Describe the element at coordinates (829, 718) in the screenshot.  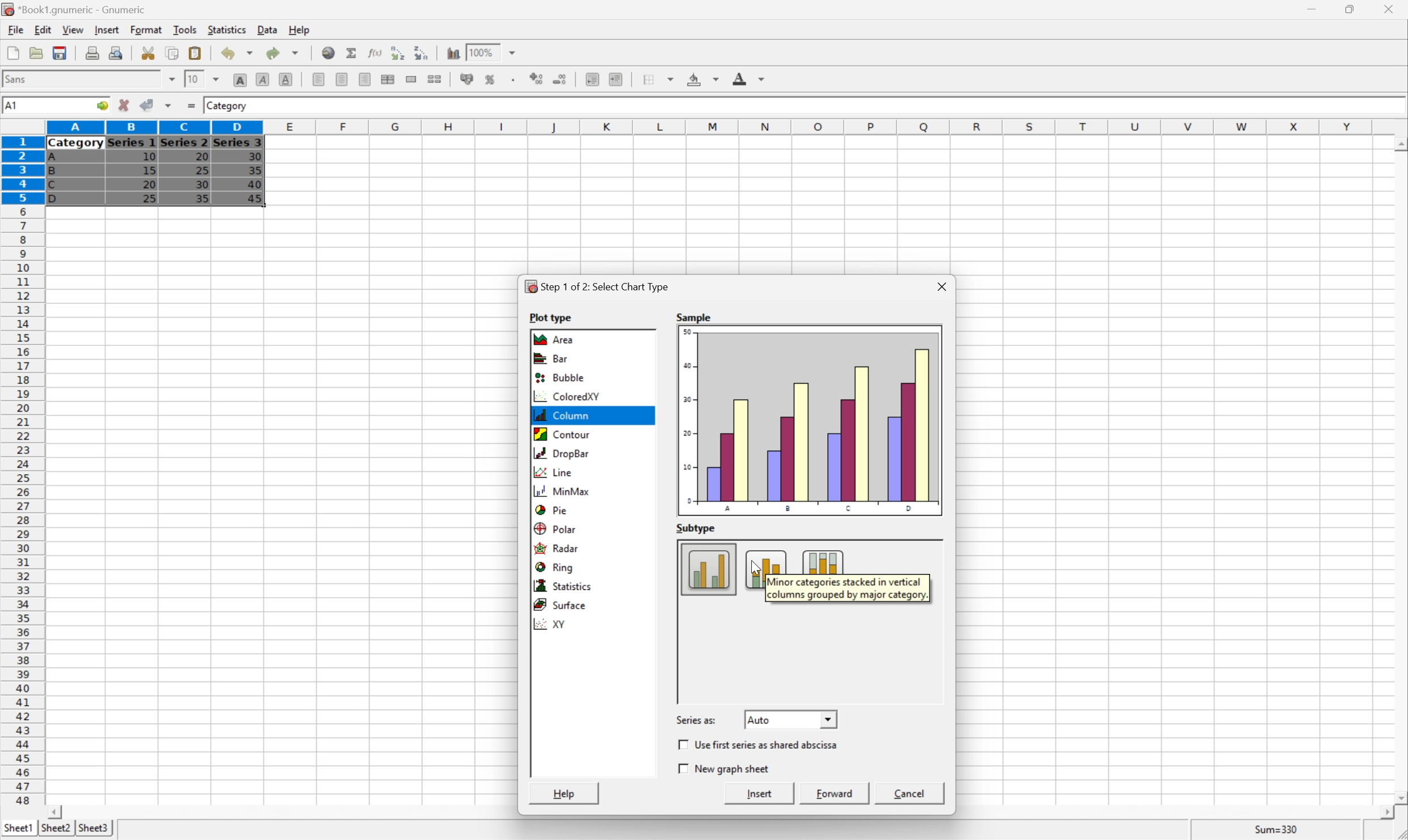
I see `Drop Down` at that location.